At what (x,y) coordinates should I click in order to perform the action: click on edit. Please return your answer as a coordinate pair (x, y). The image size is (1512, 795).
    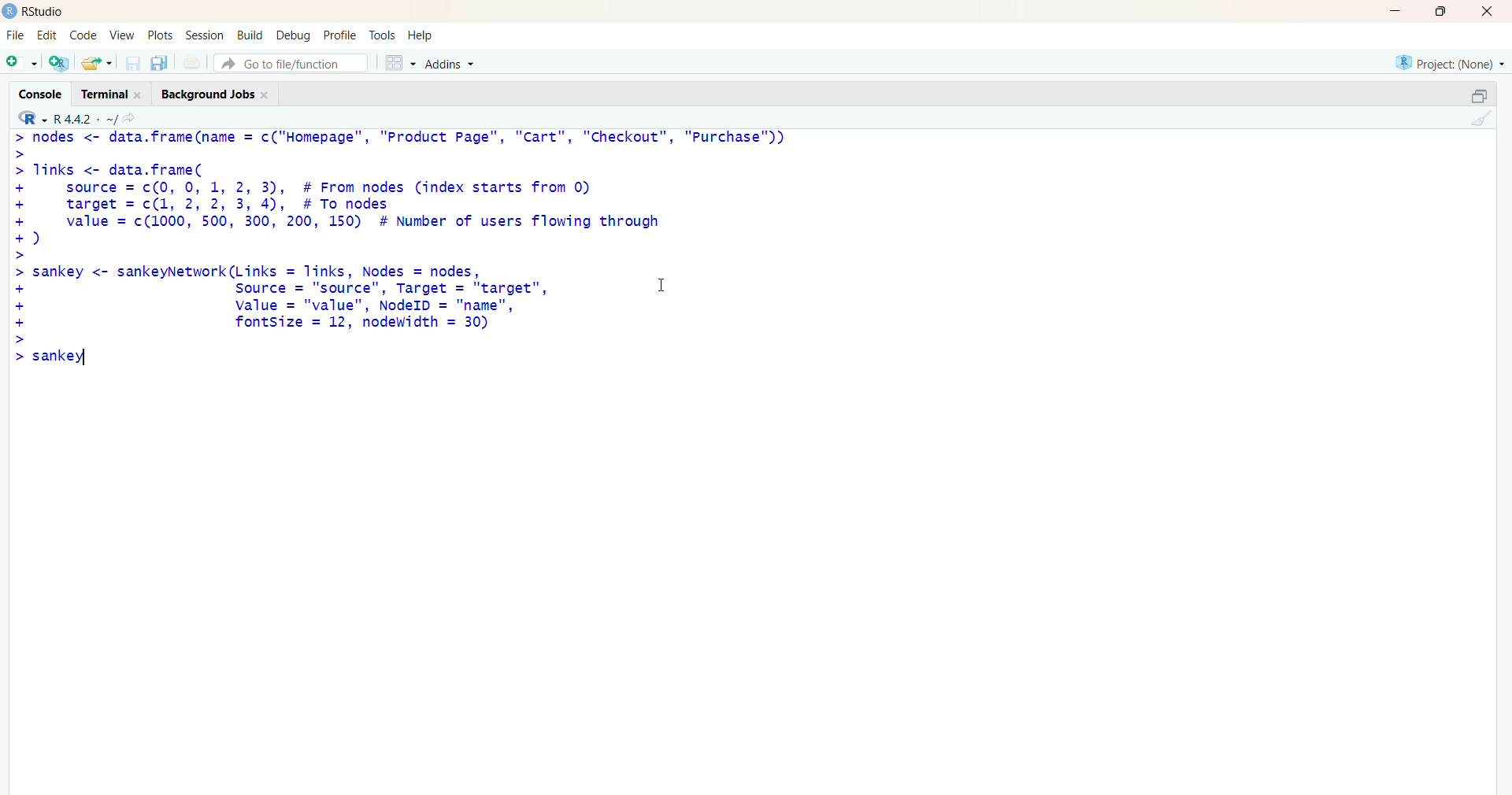
    Looking at the image, I should click on (46, 35).